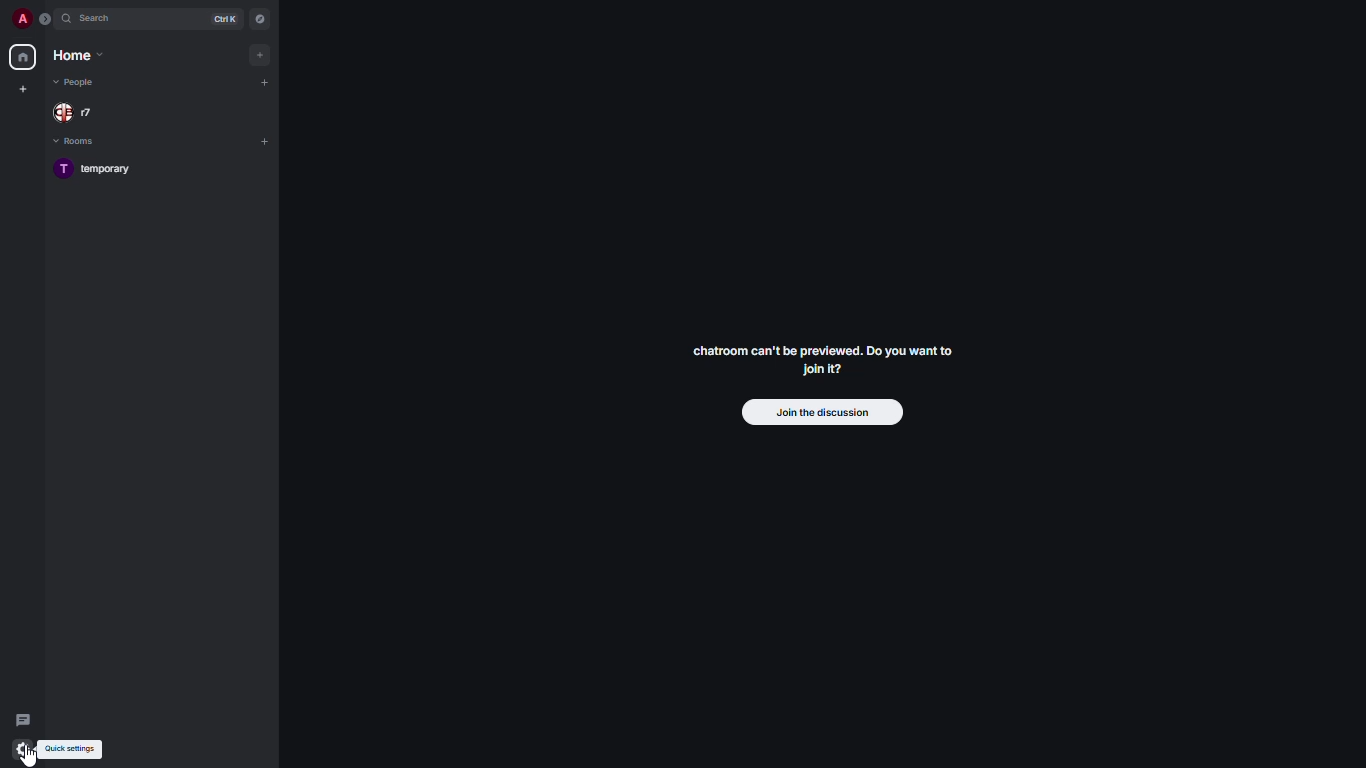  Describe the element at coordinates (80, 113) in the screenshot. I see `people` at that location.